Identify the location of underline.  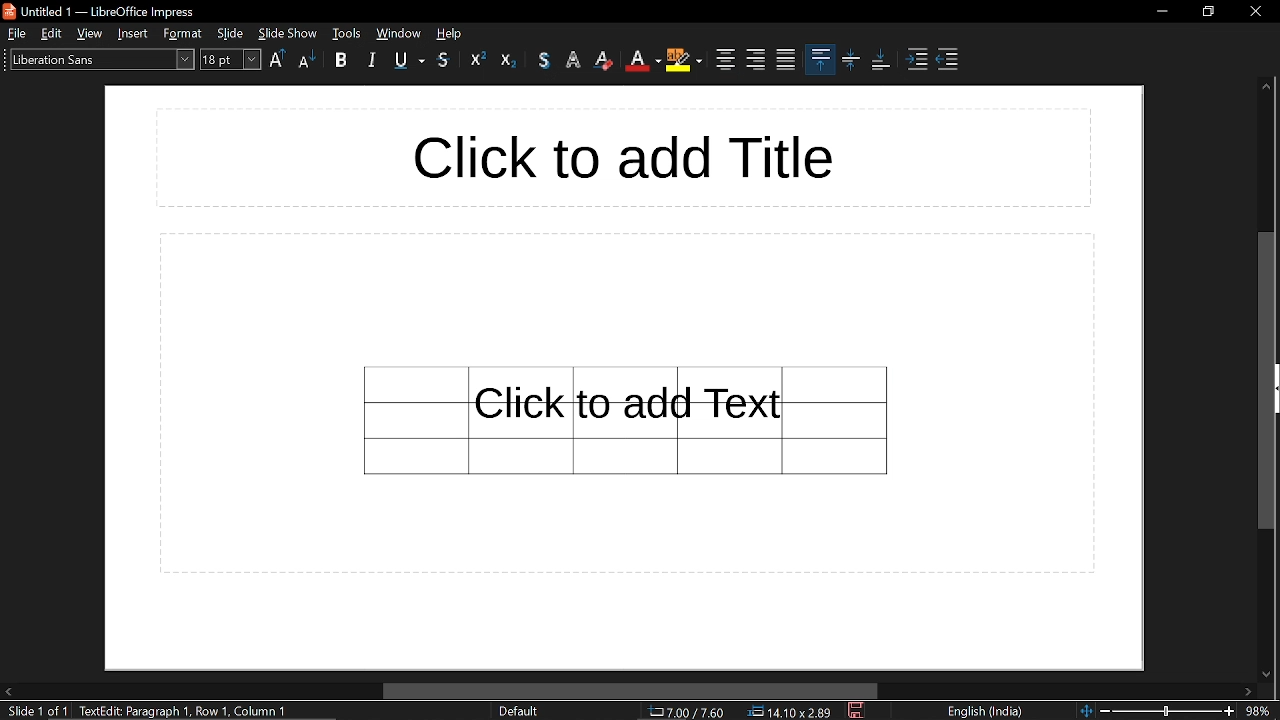
(410, 62).